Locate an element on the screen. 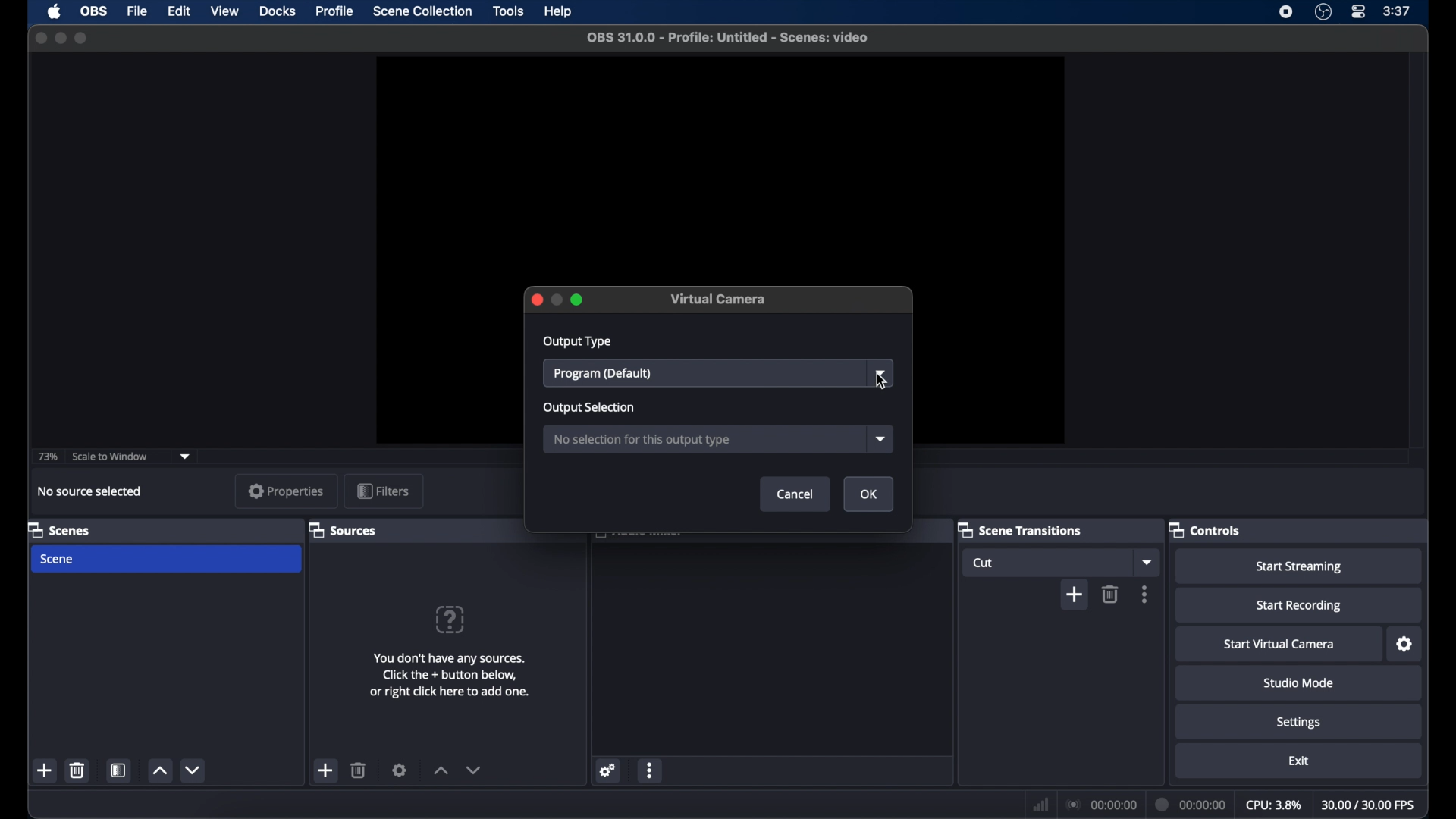 The width and height of the screenshot is (1456, 819). add is located at coordinates (45, 771).